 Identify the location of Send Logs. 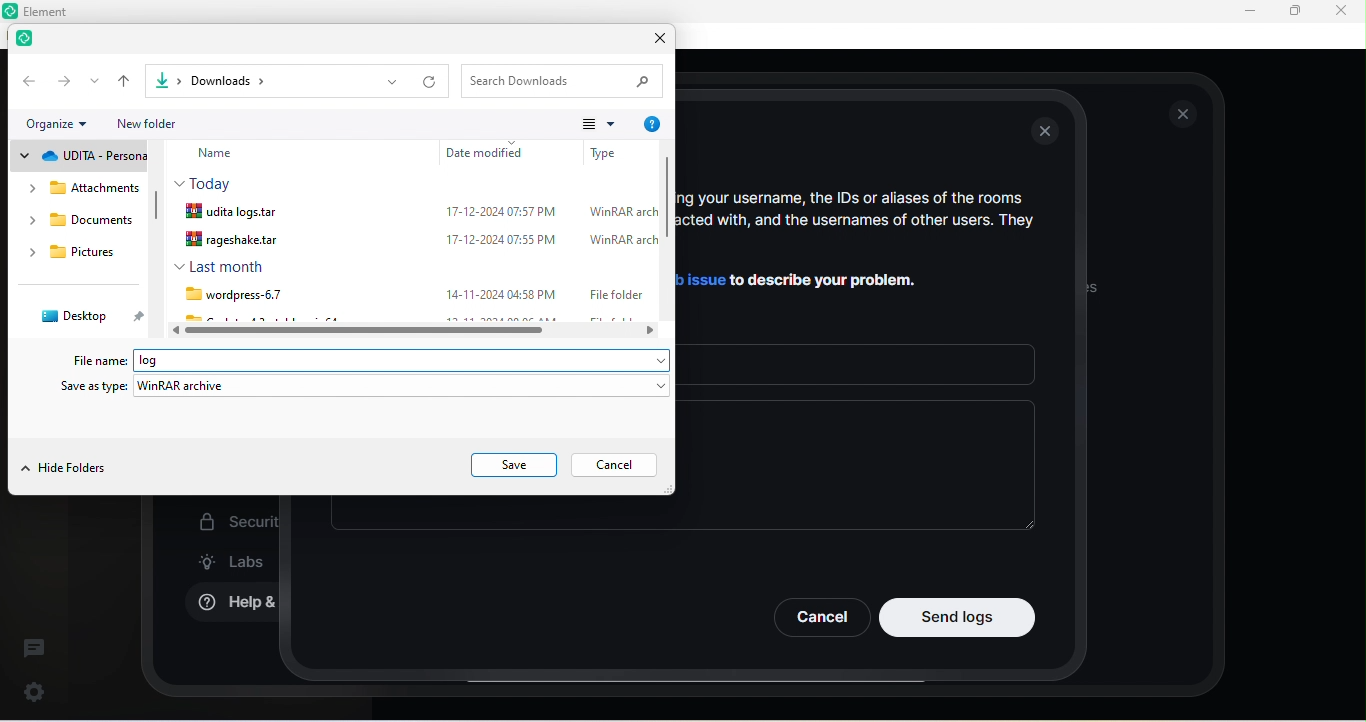
(958, 617).